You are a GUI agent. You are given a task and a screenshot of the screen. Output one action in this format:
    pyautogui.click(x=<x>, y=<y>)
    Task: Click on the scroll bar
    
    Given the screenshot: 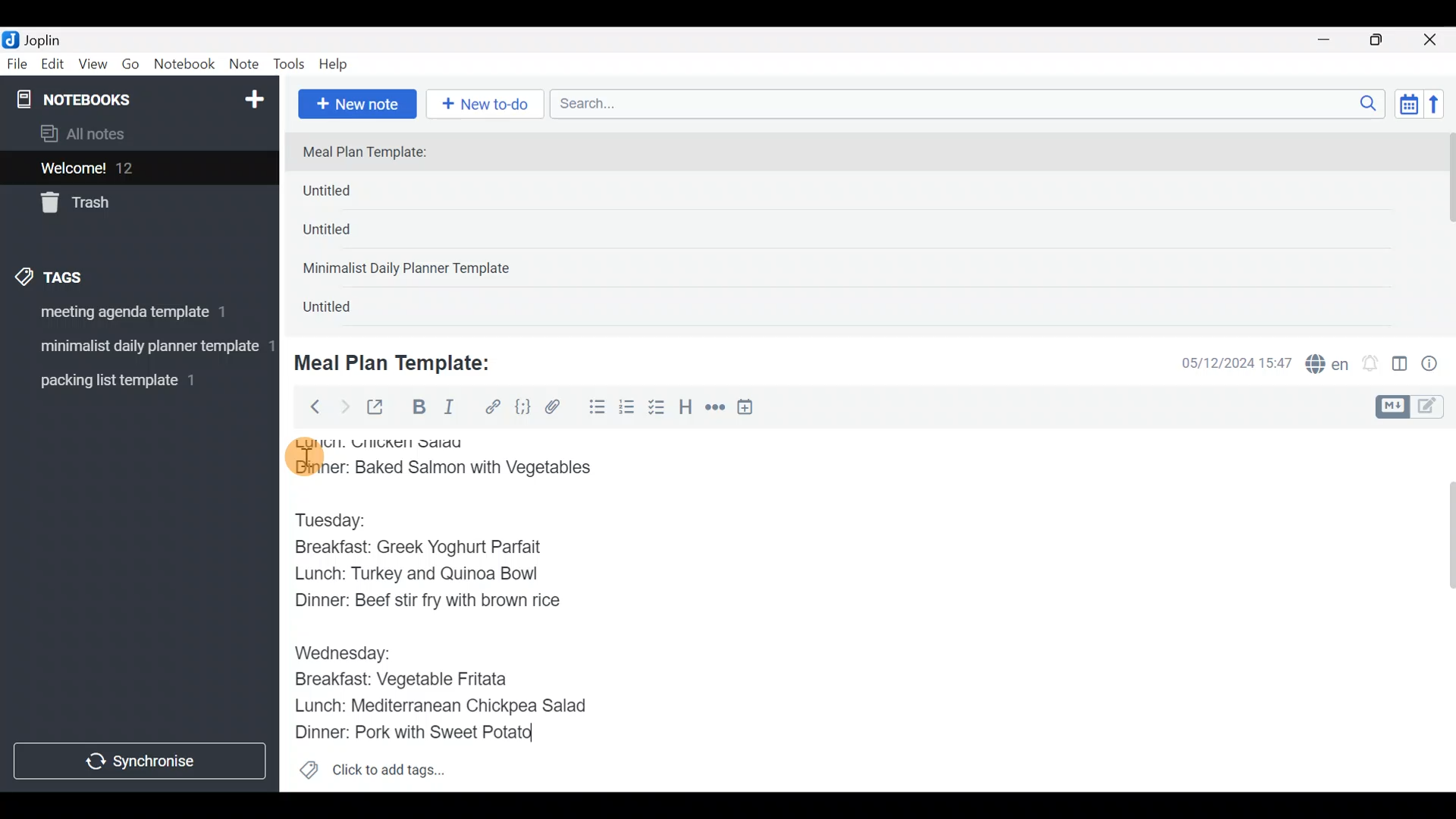 What is the action you would take?
    pyautogui.click(x=1446, y=229)
    